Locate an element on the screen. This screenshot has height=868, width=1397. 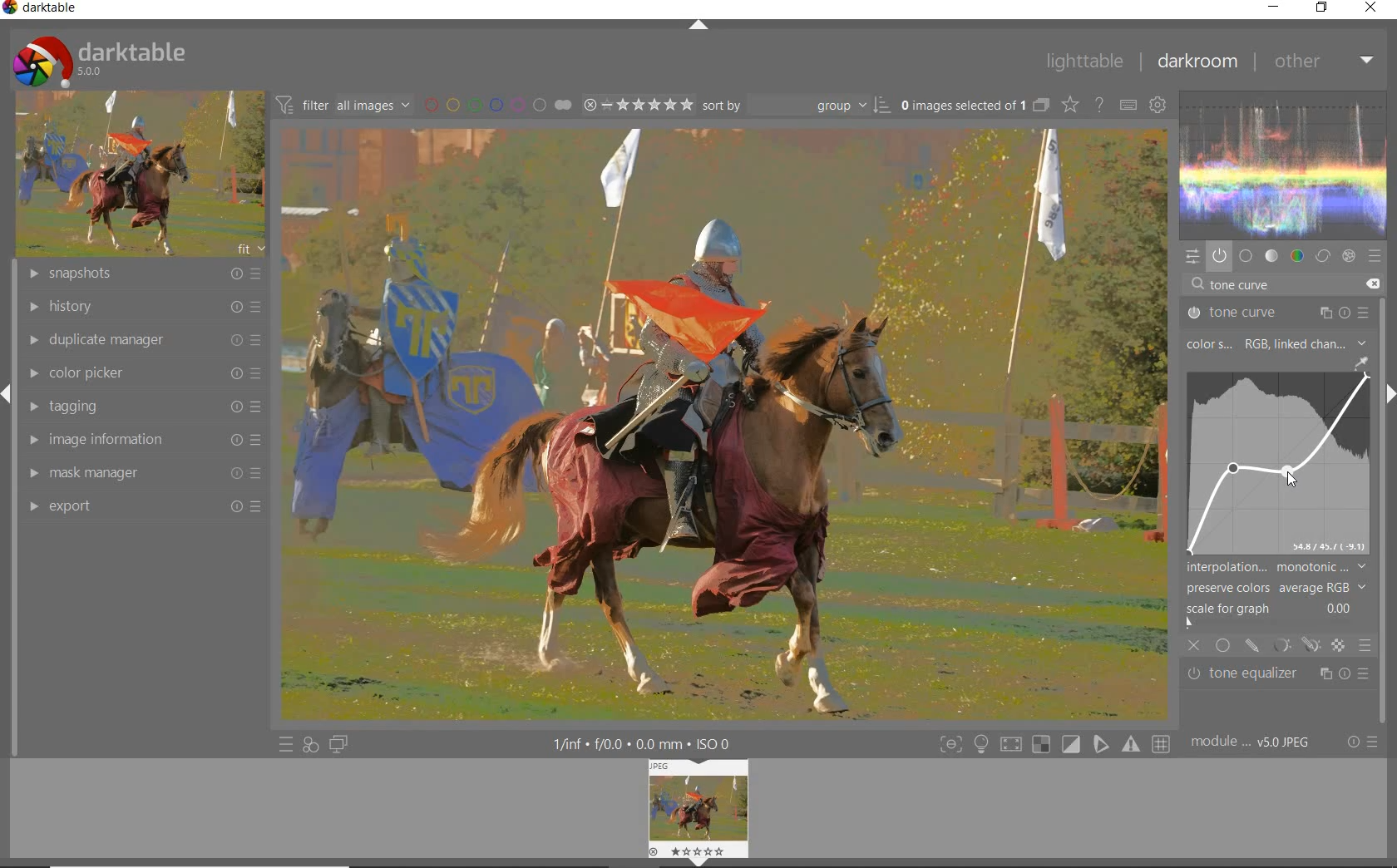
show global preferences is located at coordinates (1157, 106).